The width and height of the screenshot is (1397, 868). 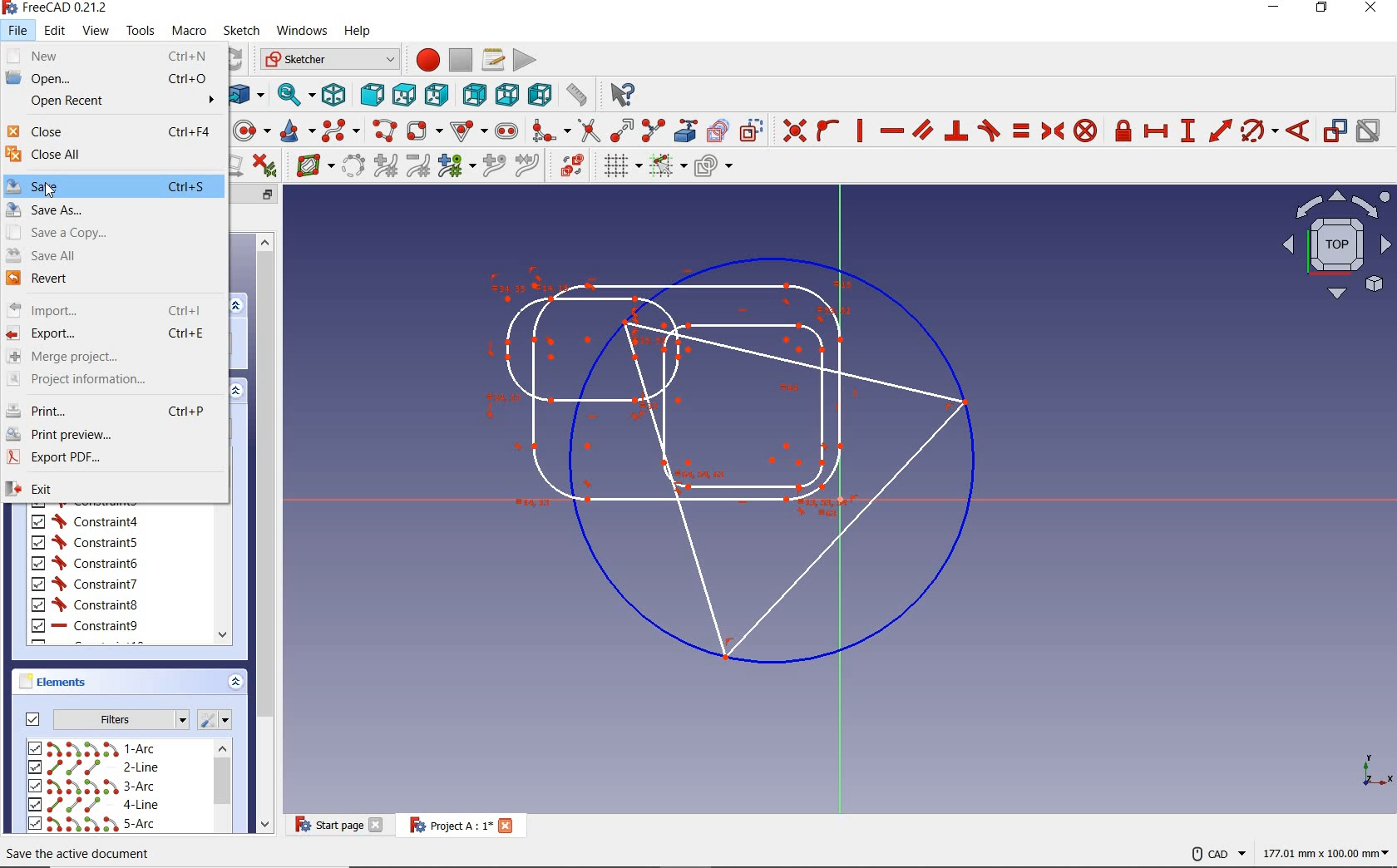 What do you see at coordinates (62, 8) in the screenshot?
I see `freeCAD 0.21.2` at bounding box center [62, 8].